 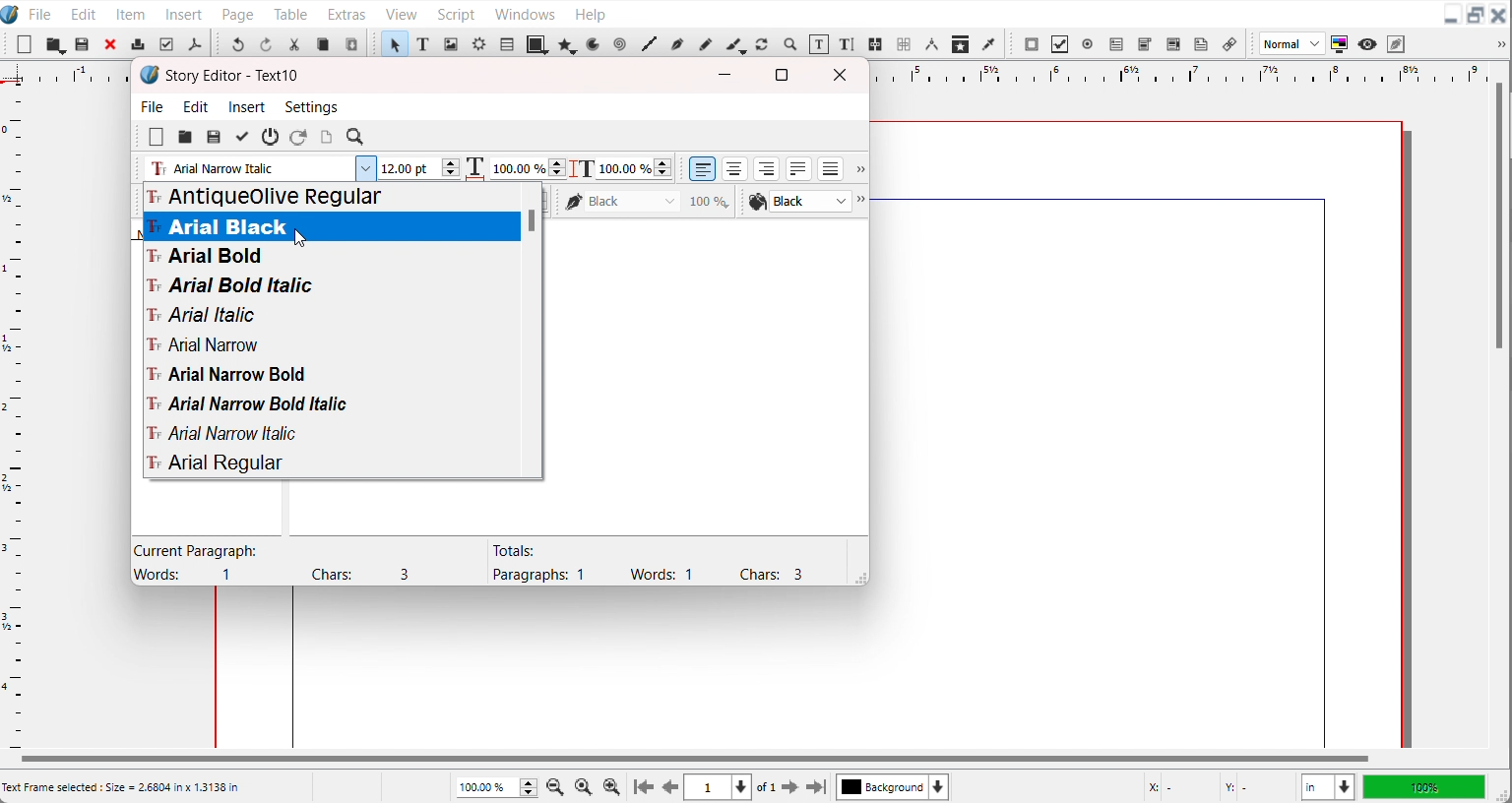 What do you see at coordinates (271, 137) in the screenshot?
I see `Exit without updating` at bounding box center [271, 137].